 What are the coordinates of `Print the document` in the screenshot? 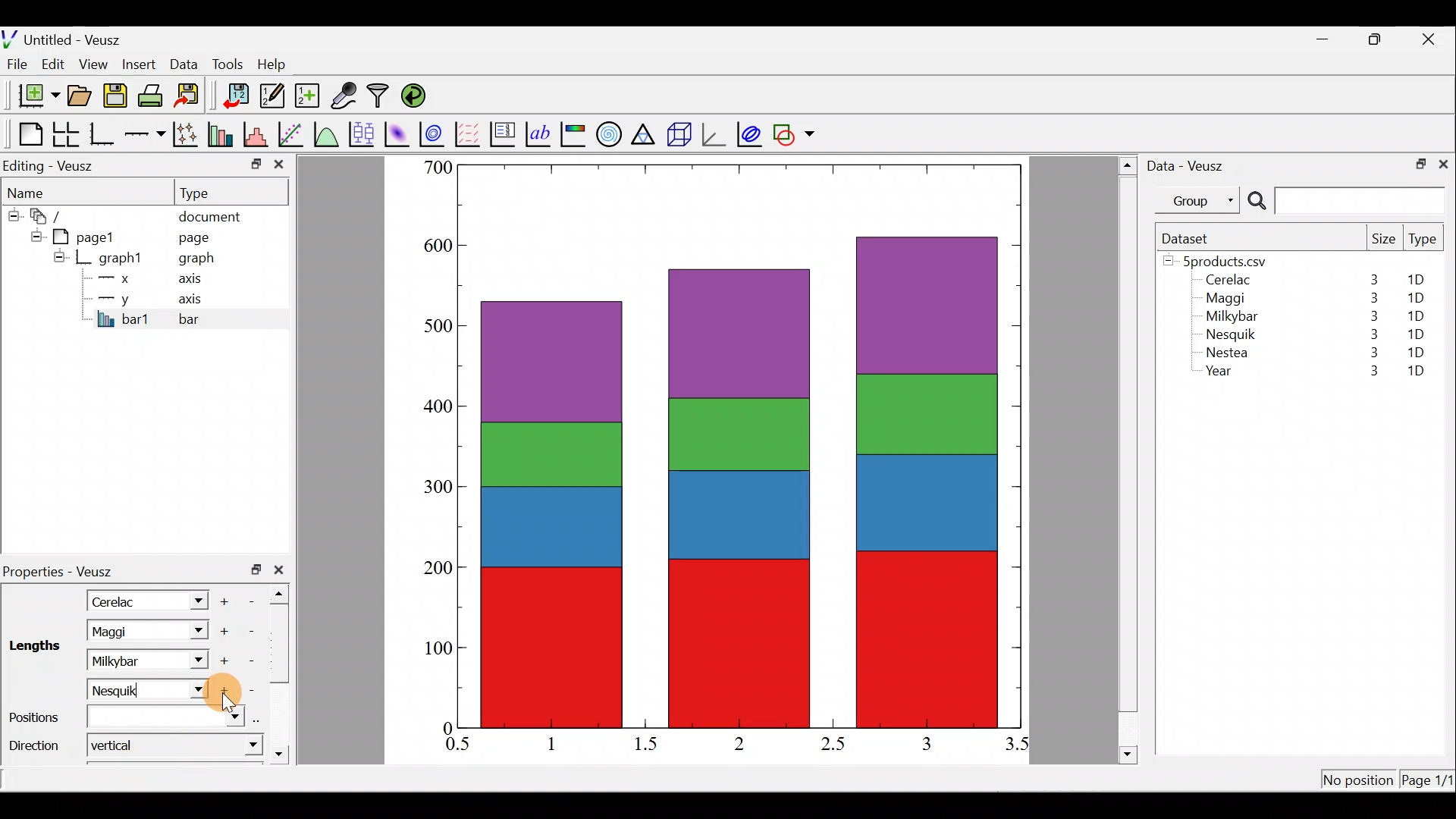 It's located at (155, 95).